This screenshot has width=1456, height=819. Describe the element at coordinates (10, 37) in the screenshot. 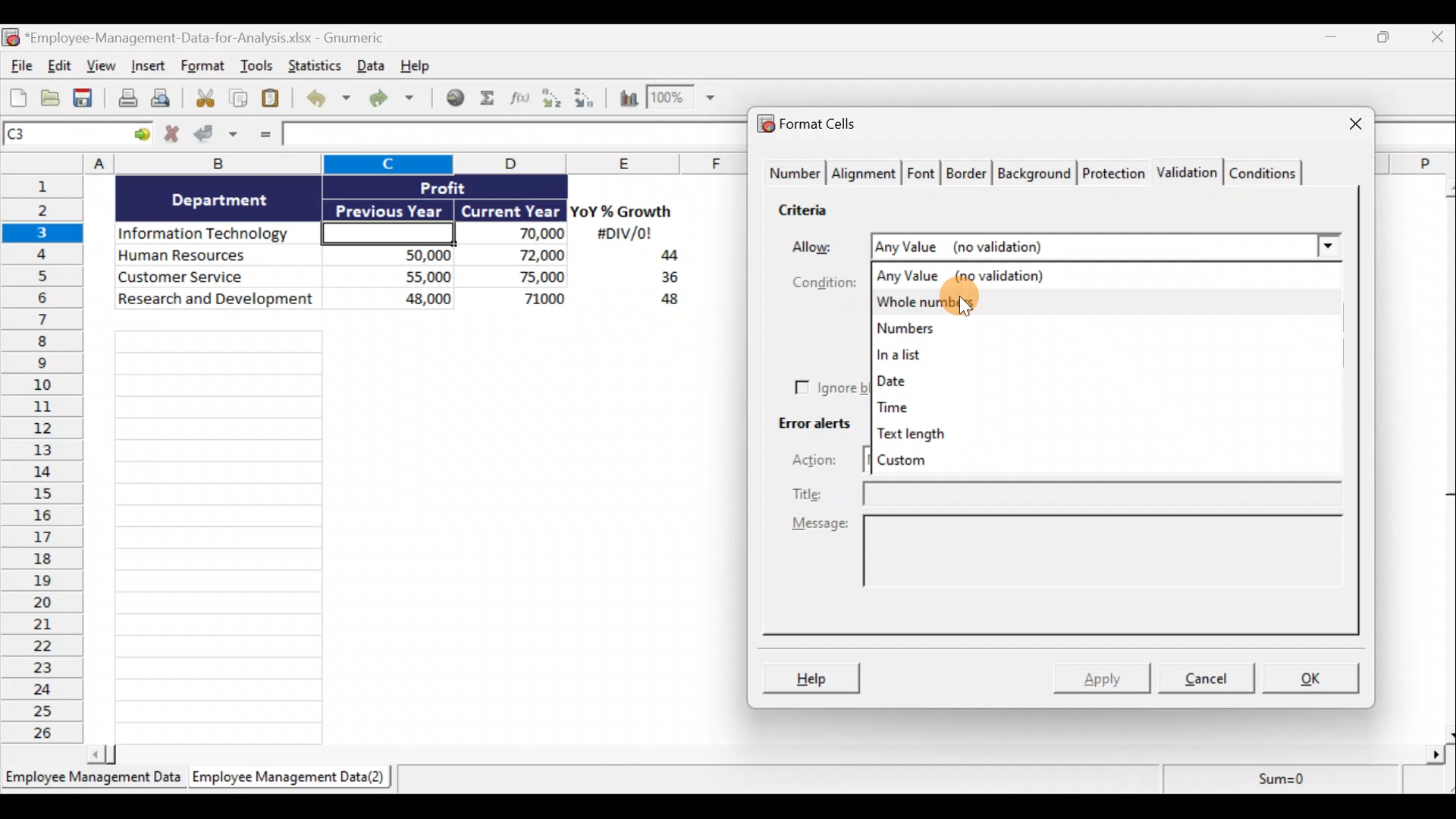

I see `Gnumeric logo` at that location.